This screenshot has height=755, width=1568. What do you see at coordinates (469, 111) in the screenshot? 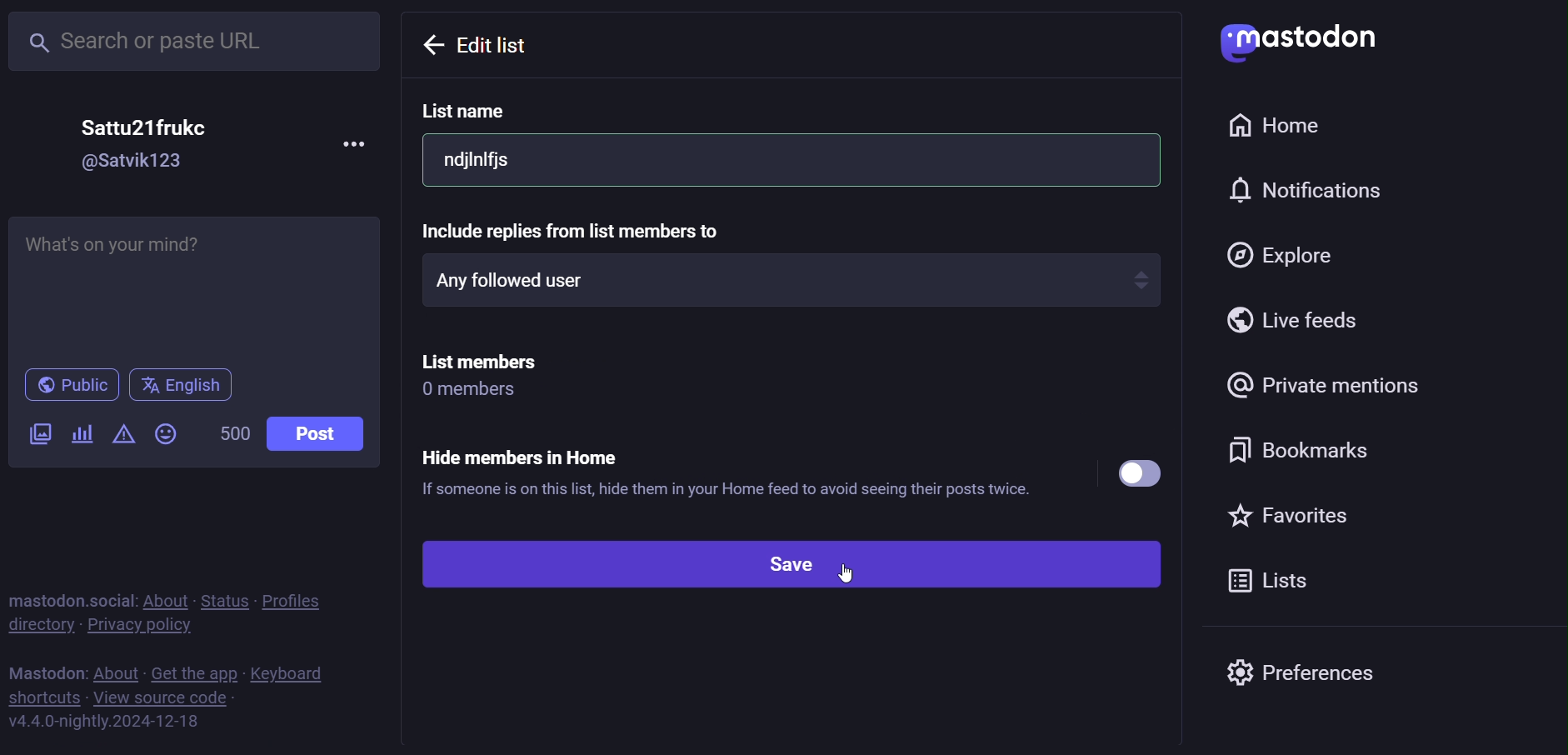
I see `list name` at bounding box center [469, 111].